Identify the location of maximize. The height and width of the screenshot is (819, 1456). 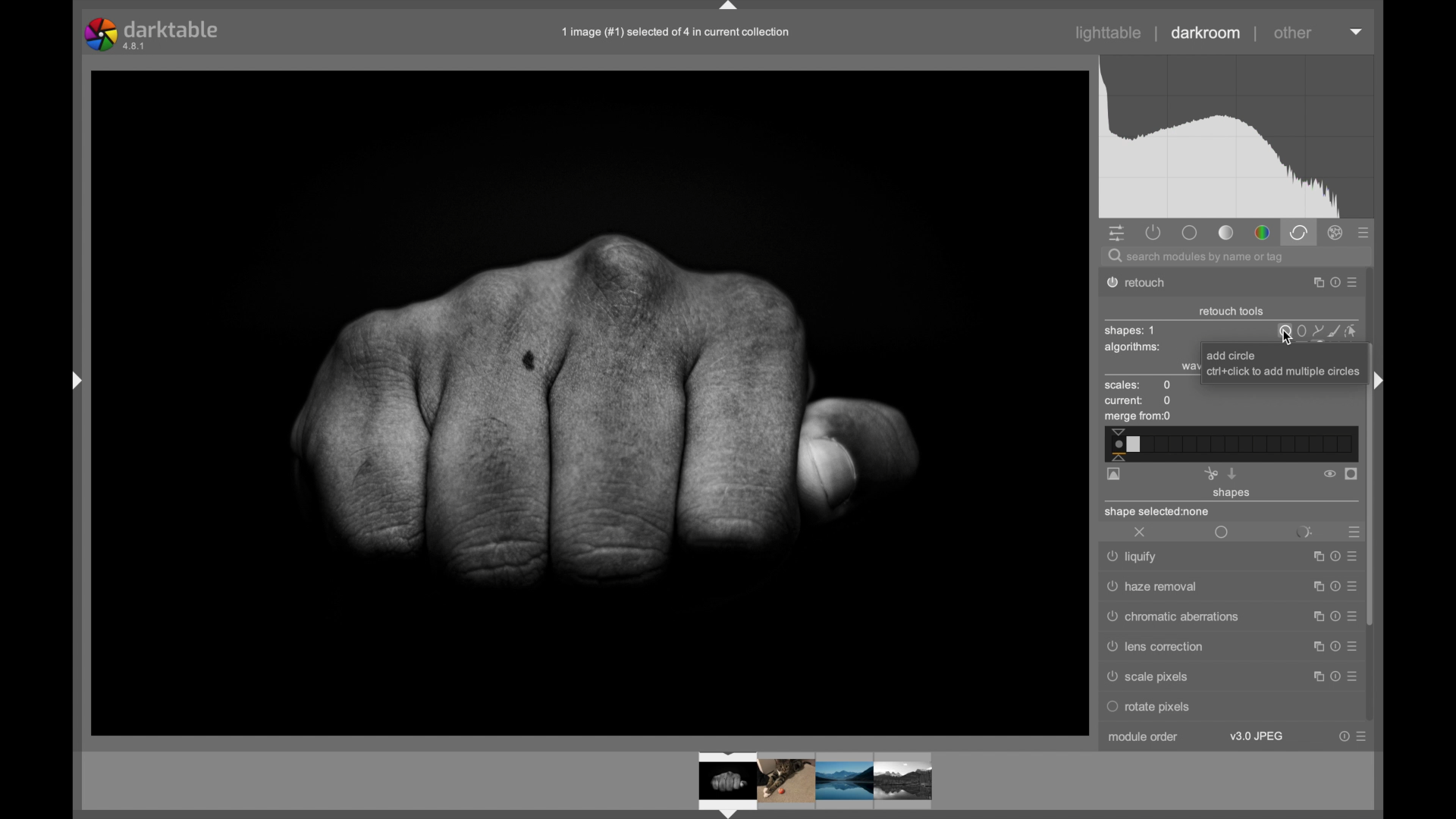
(1312, 283).